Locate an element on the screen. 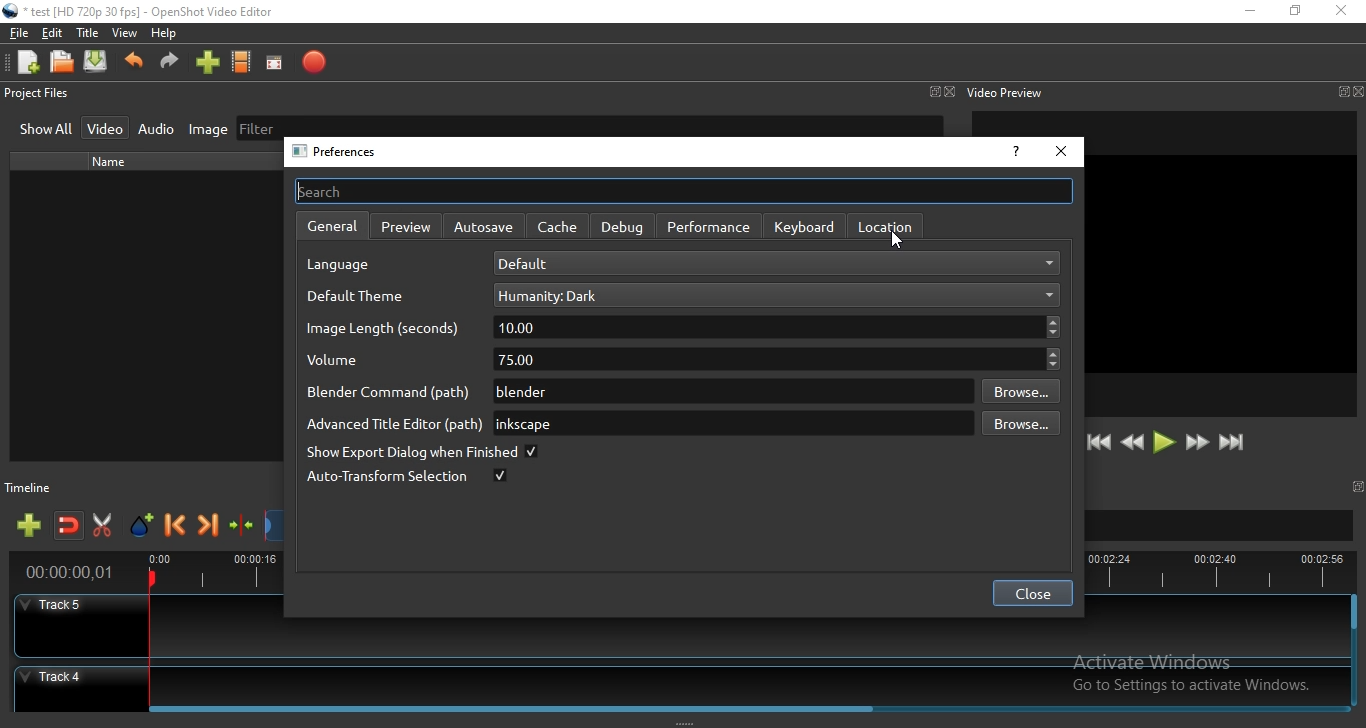 This screenshot has width=1366, height=728. Filter is located at coordinates (589, 125).